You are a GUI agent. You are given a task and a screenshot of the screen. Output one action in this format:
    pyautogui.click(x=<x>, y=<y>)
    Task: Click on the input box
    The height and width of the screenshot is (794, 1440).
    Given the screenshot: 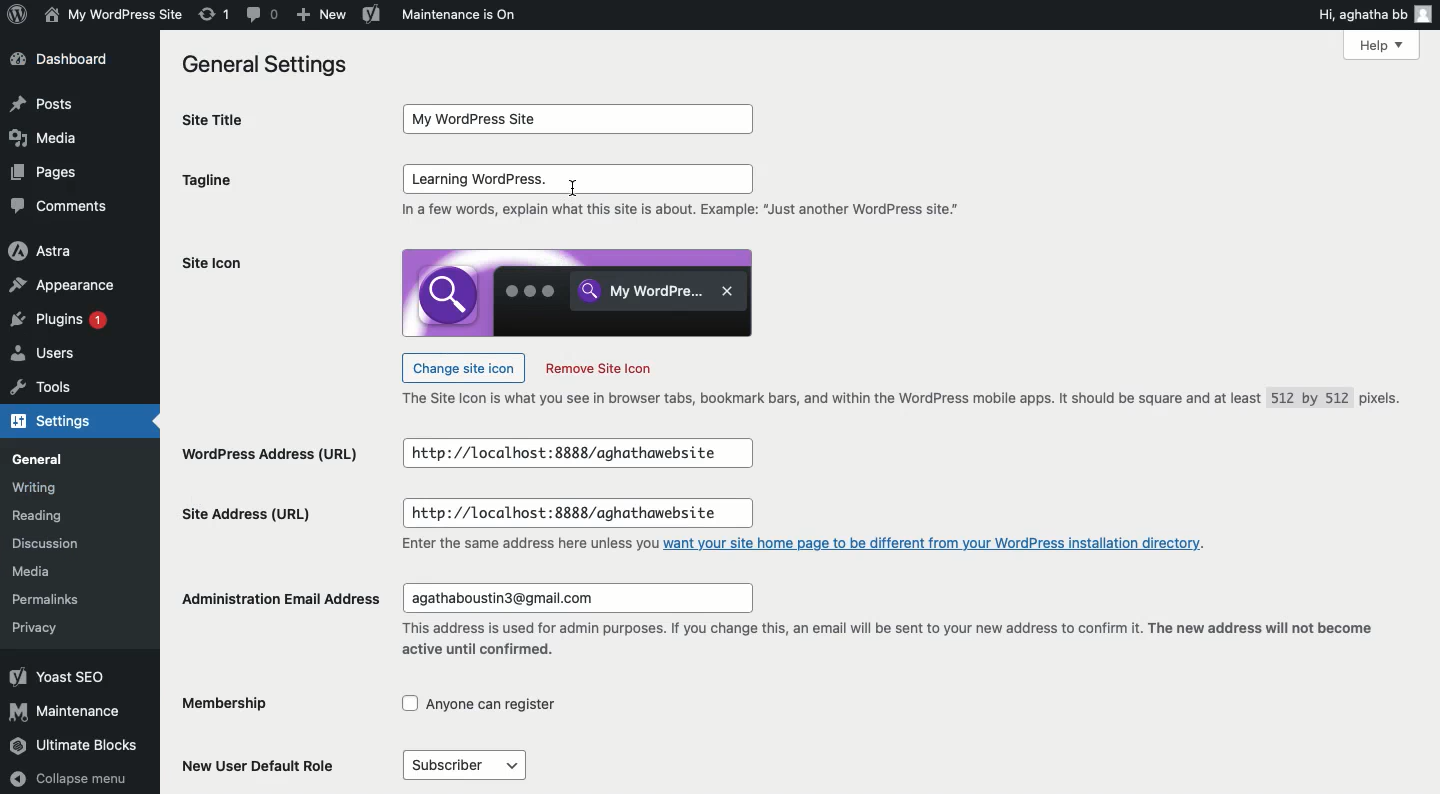 What is the action you would take?
    pyautogui.click(x=576, y=120)
    